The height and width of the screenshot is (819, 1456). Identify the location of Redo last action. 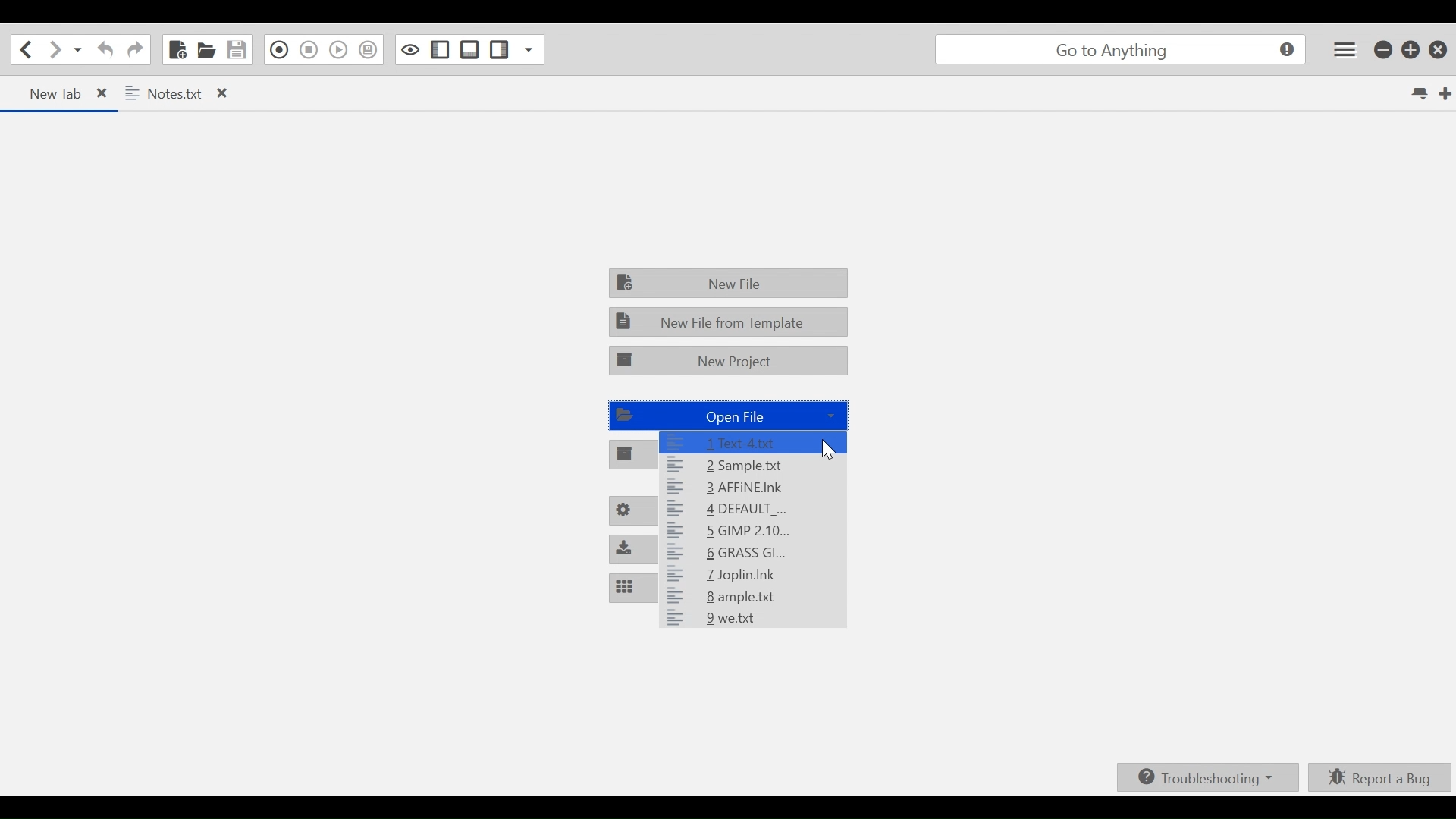
(134, 50).